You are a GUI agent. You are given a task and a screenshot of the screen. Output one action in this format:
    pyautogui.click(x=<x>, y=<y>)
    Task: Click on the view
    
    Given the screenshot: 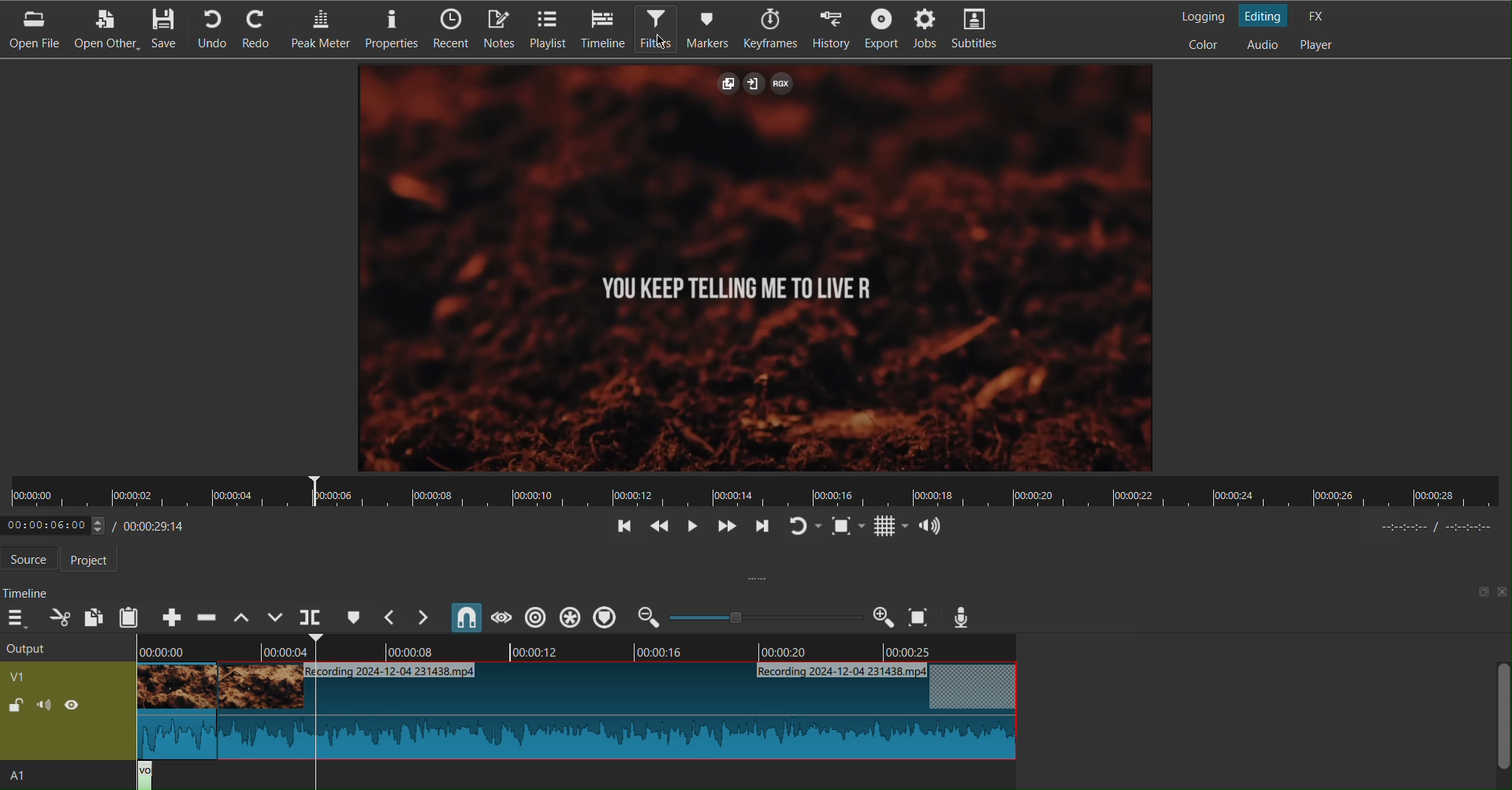 What is the action you would take?
    pyautogui.click(x=78, y=708)
    